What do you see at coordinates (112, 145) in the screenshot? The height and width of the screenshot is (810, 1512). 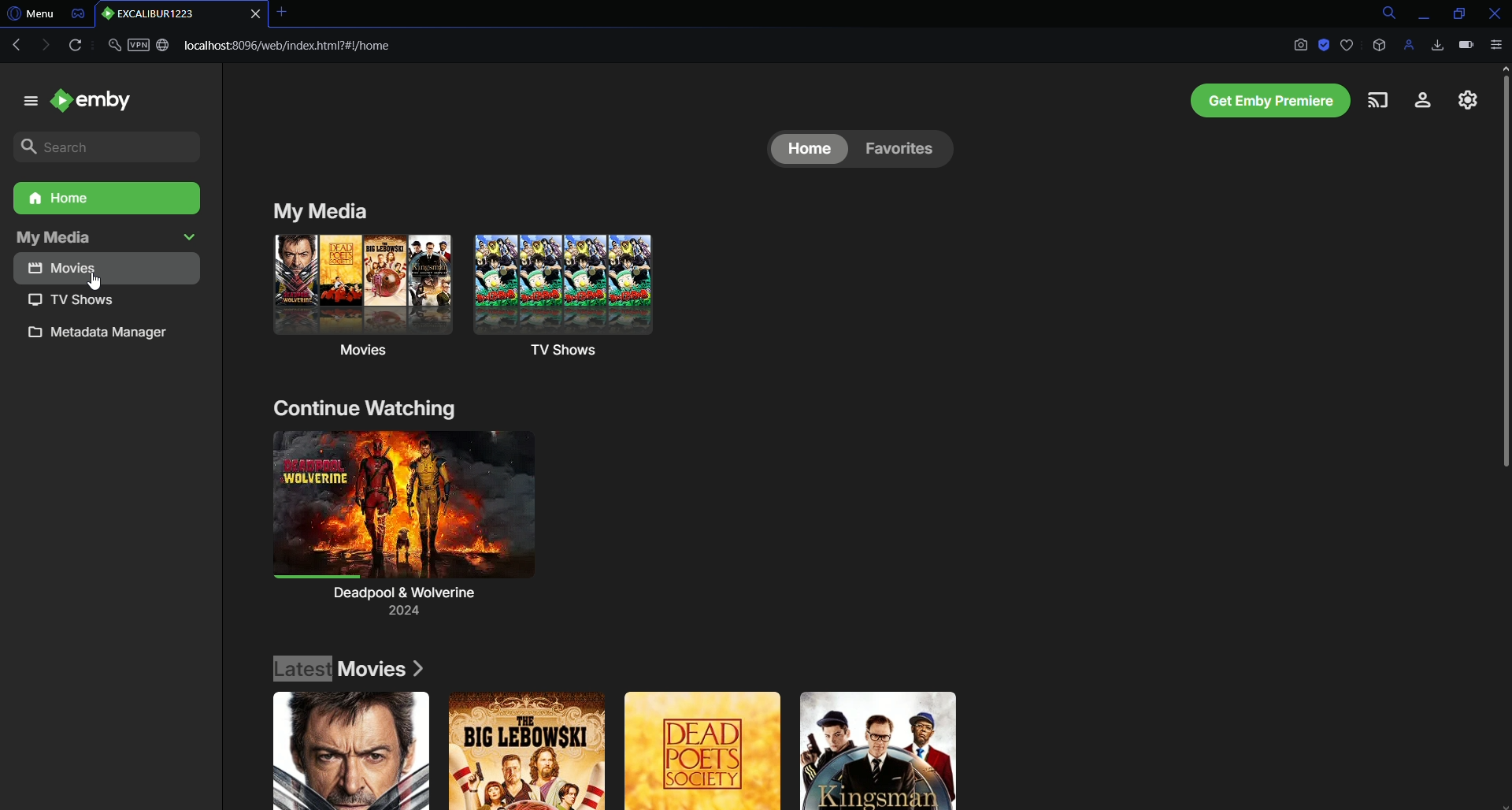 I see `Search` at bounding box center [112, 145].